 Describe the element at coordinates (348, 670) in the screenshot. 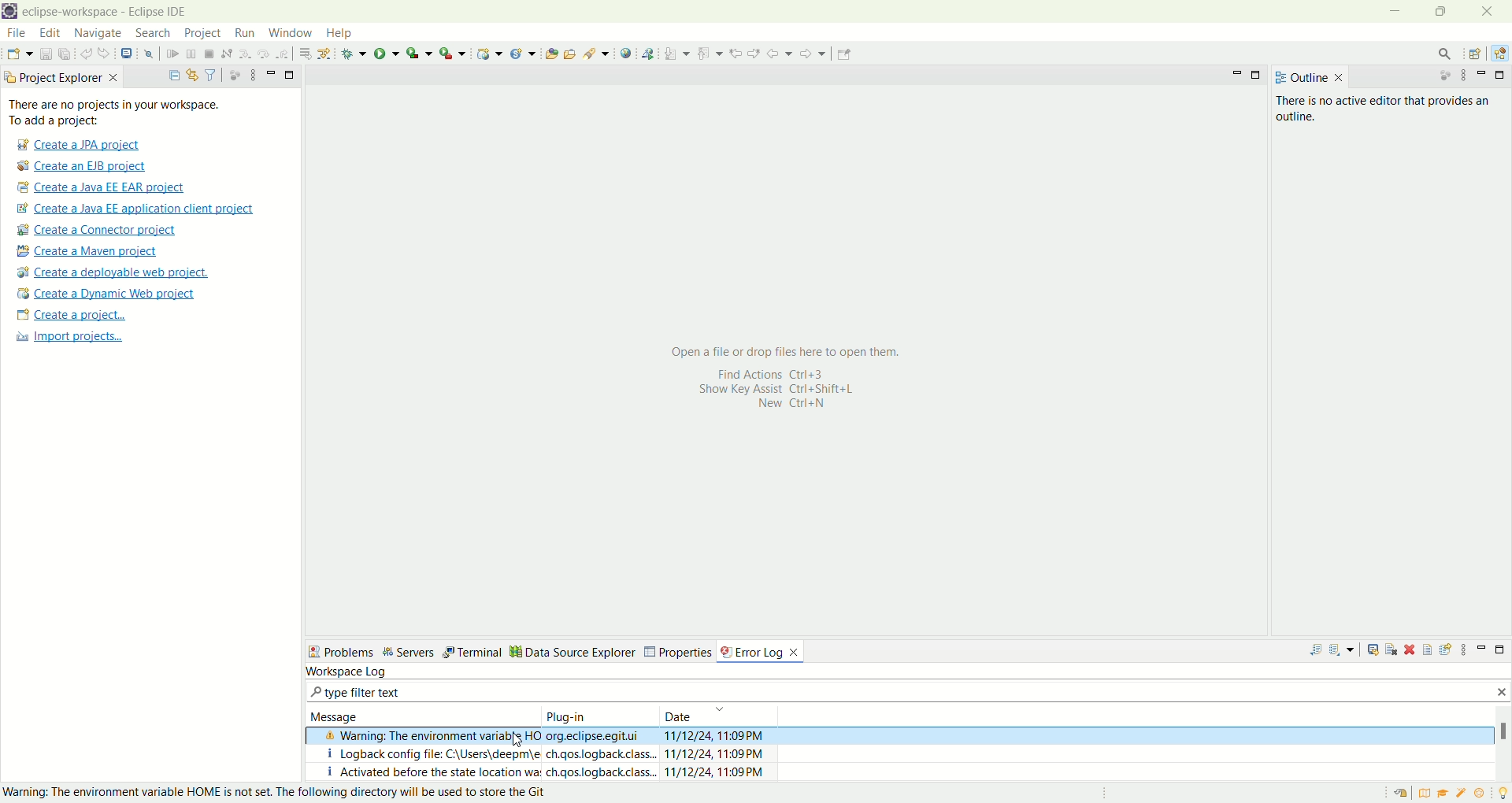

I see `workspace log` at that location.